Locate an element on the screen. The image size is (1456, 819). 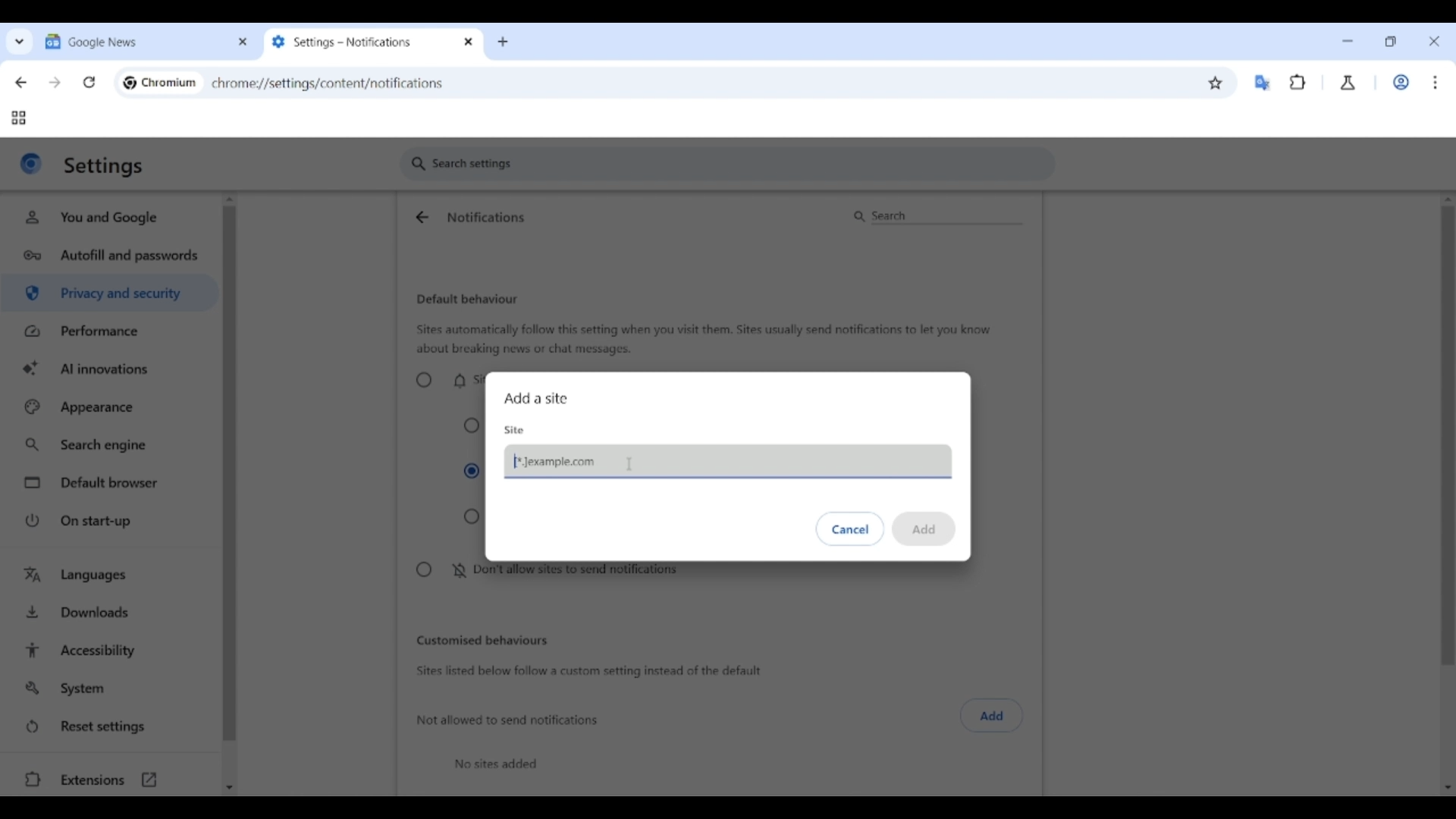
Site is located at coordinates (515, 430).